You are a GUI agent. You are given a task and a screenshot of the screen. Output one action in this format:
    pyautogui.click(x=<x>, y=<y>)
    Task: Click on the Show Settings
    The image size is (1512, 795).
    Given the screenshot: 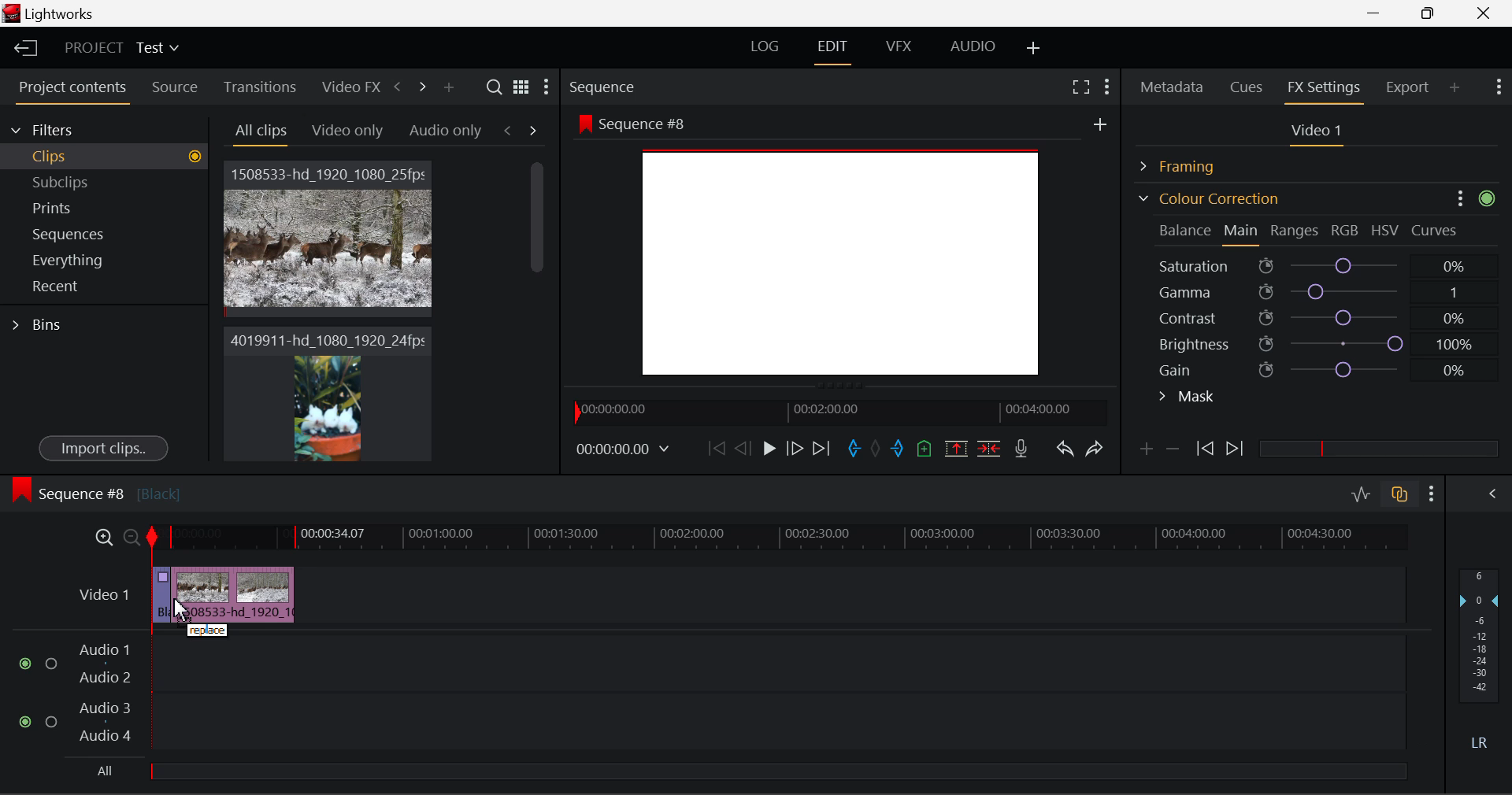 What is the action you would take?
    pyautogui.click(x=1432, y=494)
    